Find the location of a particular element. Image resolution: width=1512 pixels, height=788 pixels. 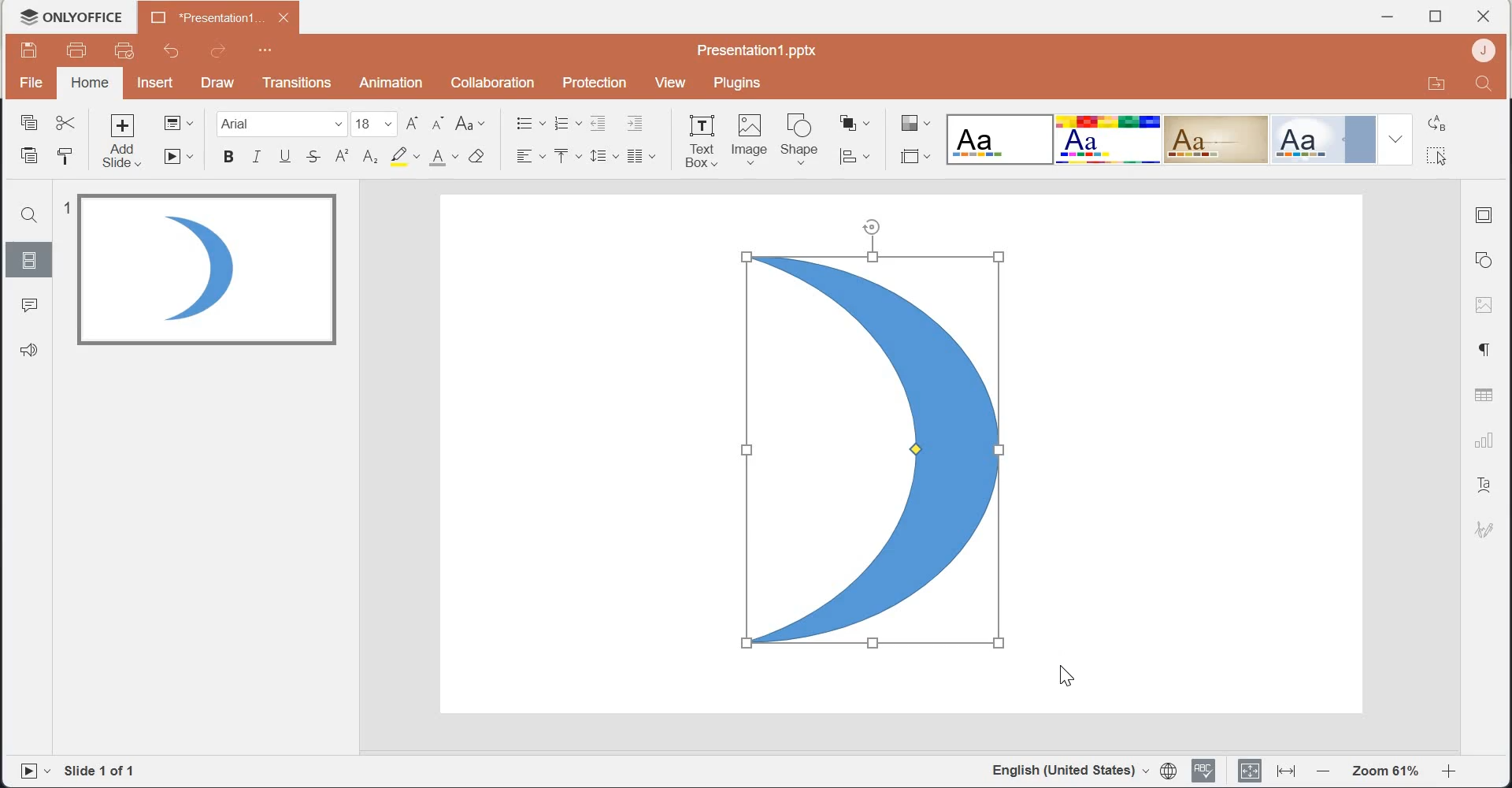

Print file is located at coordinates (79, 51).